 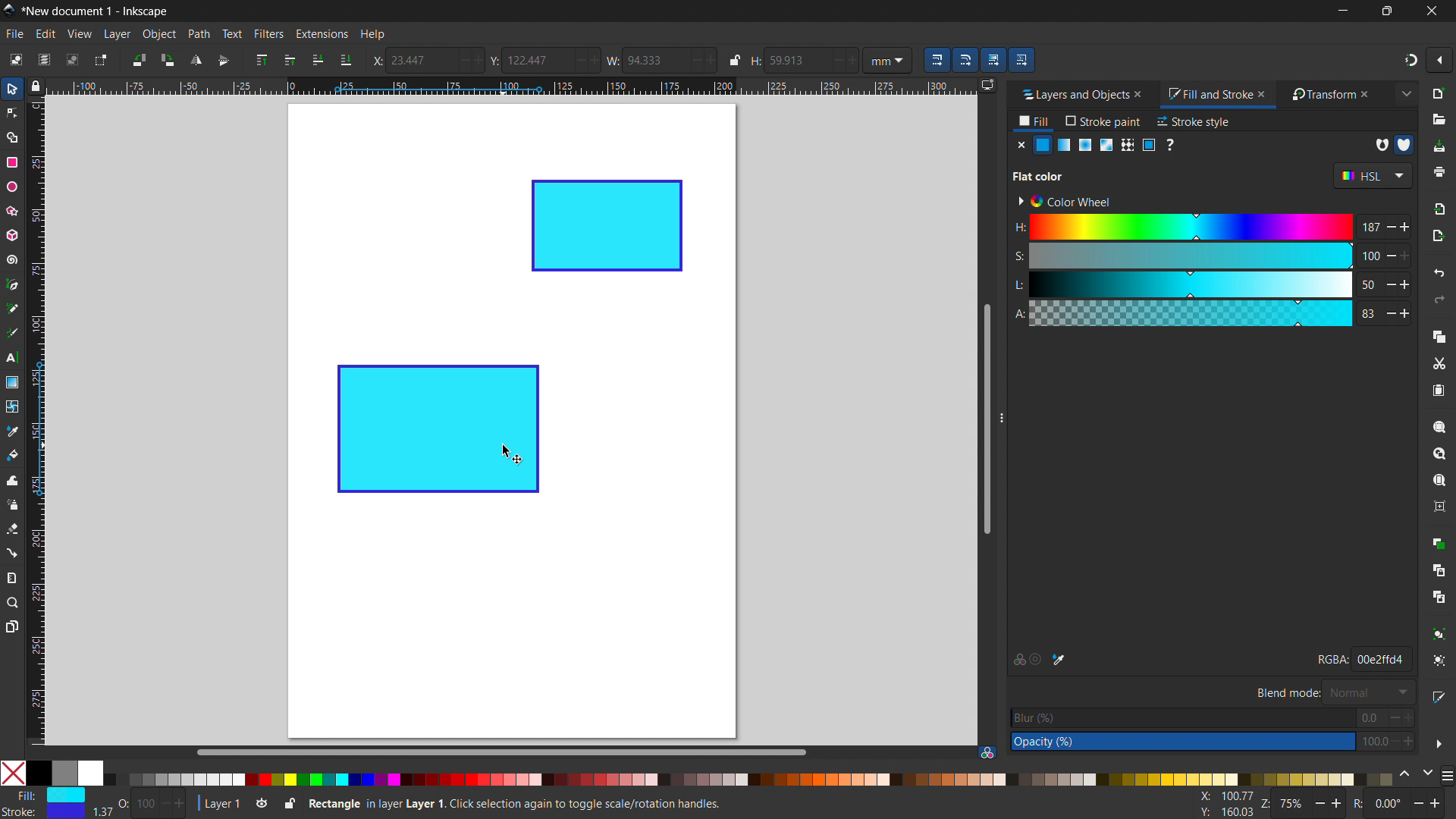 What do you see at coordinates (1107, 145) in the screenshot?
I see `mesh gradient` at bounding box center [1107, 145].